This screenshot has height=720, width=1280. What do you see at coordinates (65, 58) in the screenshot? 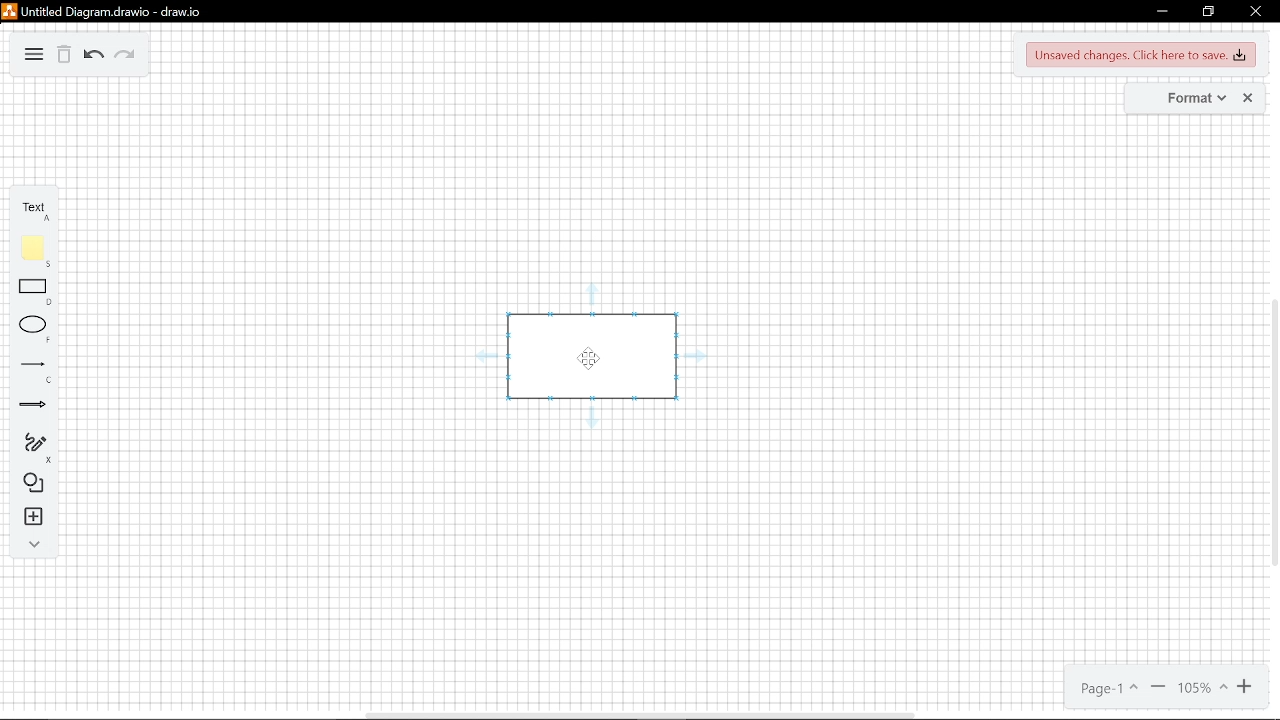
I see `delete` at bounding box center [65, 58].